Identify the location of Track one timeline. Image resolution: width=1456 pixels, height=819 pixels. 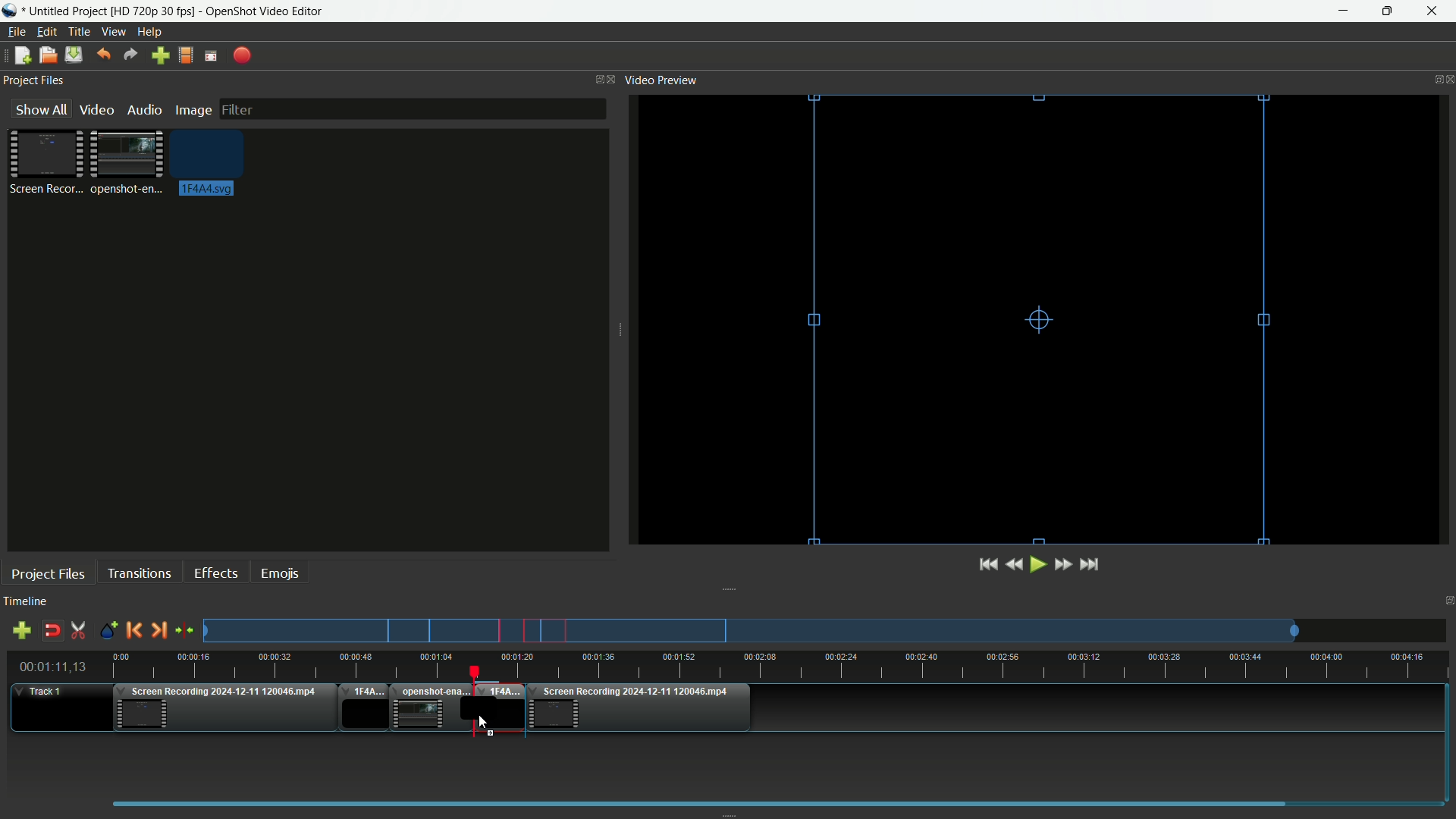
(42, 692).